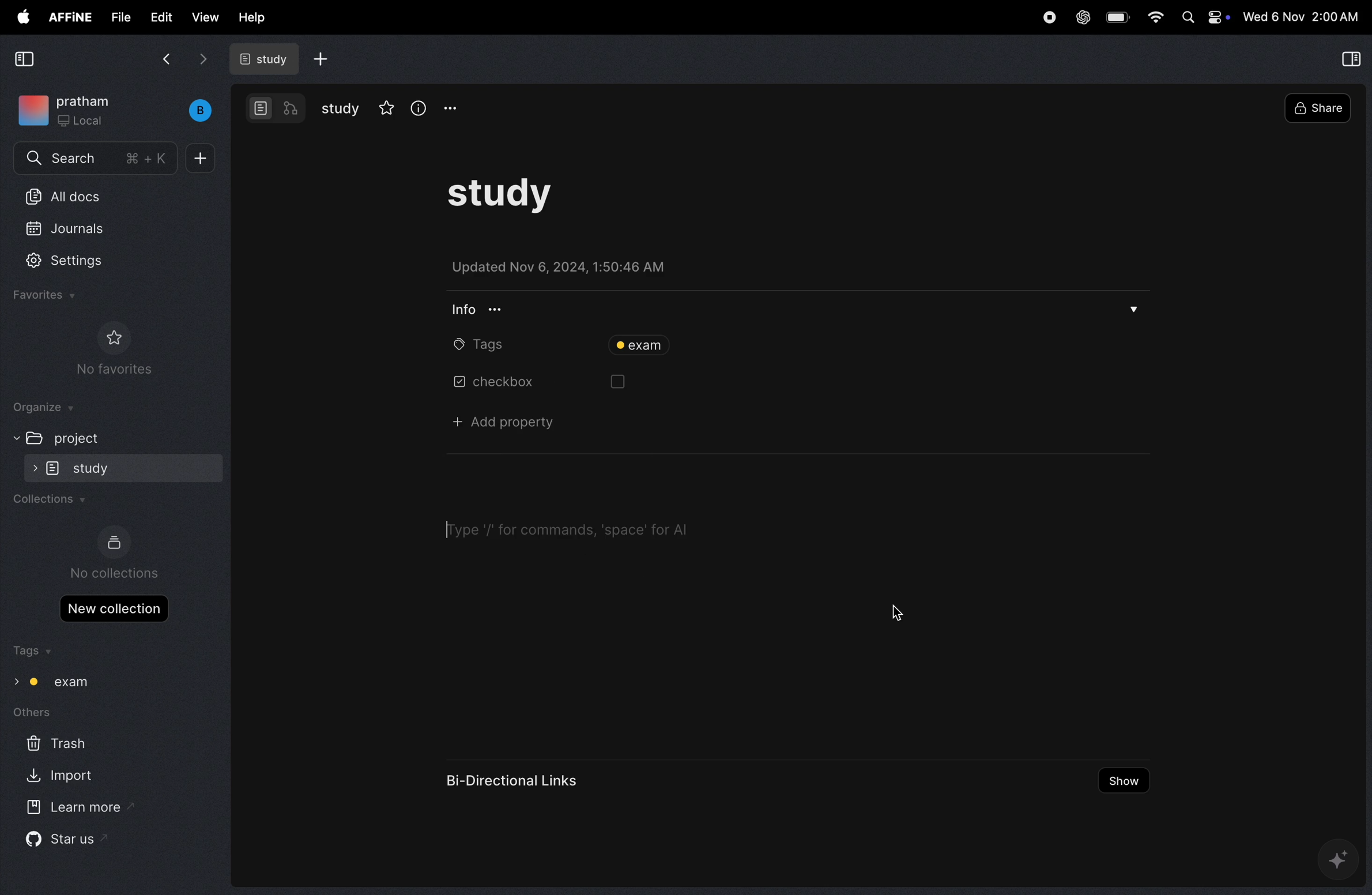 The height and width of the screenshot is (895, 1372). I want to click on no favourites, so click(120, 348).